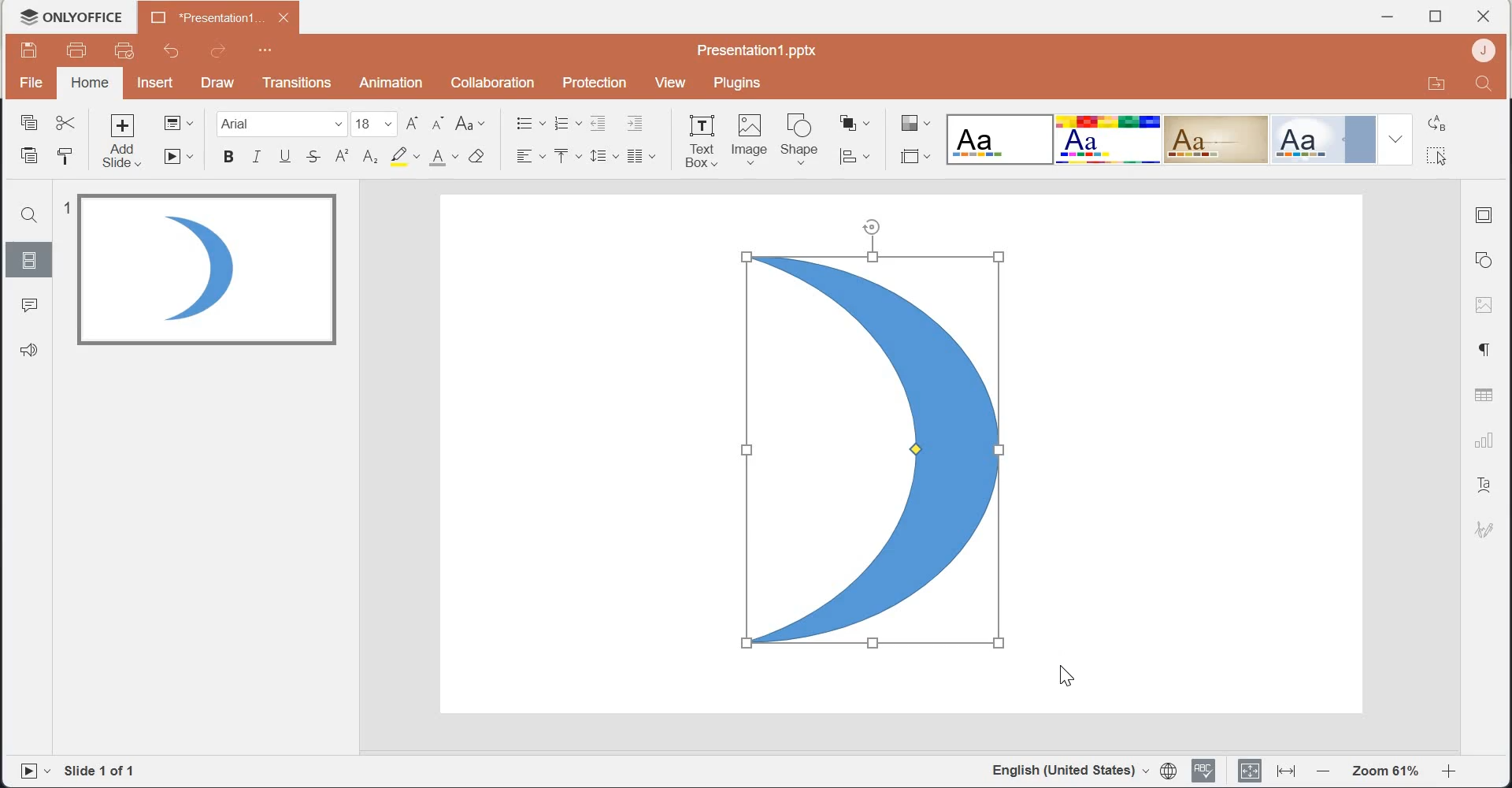 The height and width of the screenshot is (788, 1512). What do you see at coordinates (28, 350) in the screenshot?
I see `Feedback & Support` at bounding box center [28, 350].